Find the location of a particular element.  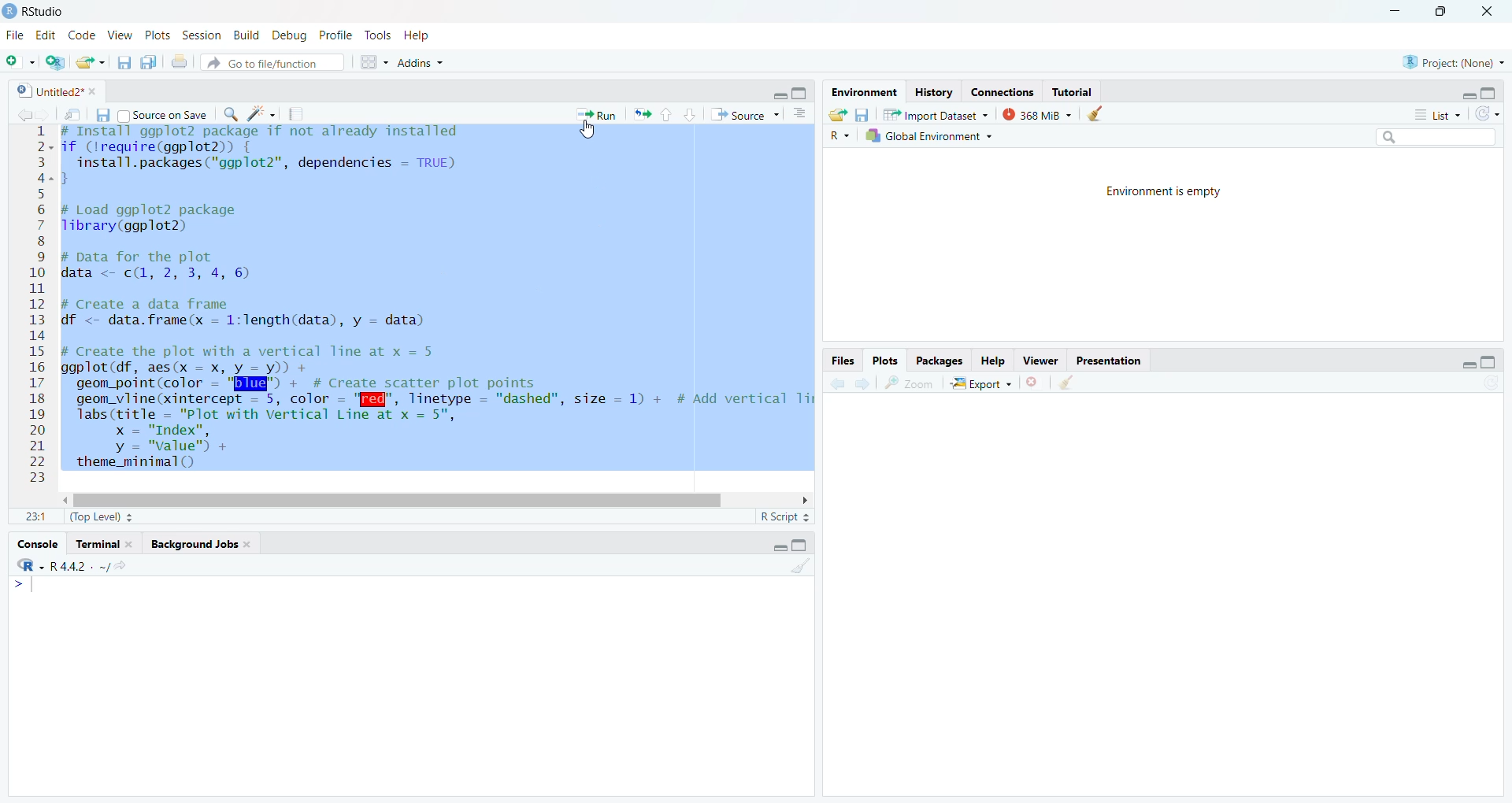

back is located at coordinates (836, 383).